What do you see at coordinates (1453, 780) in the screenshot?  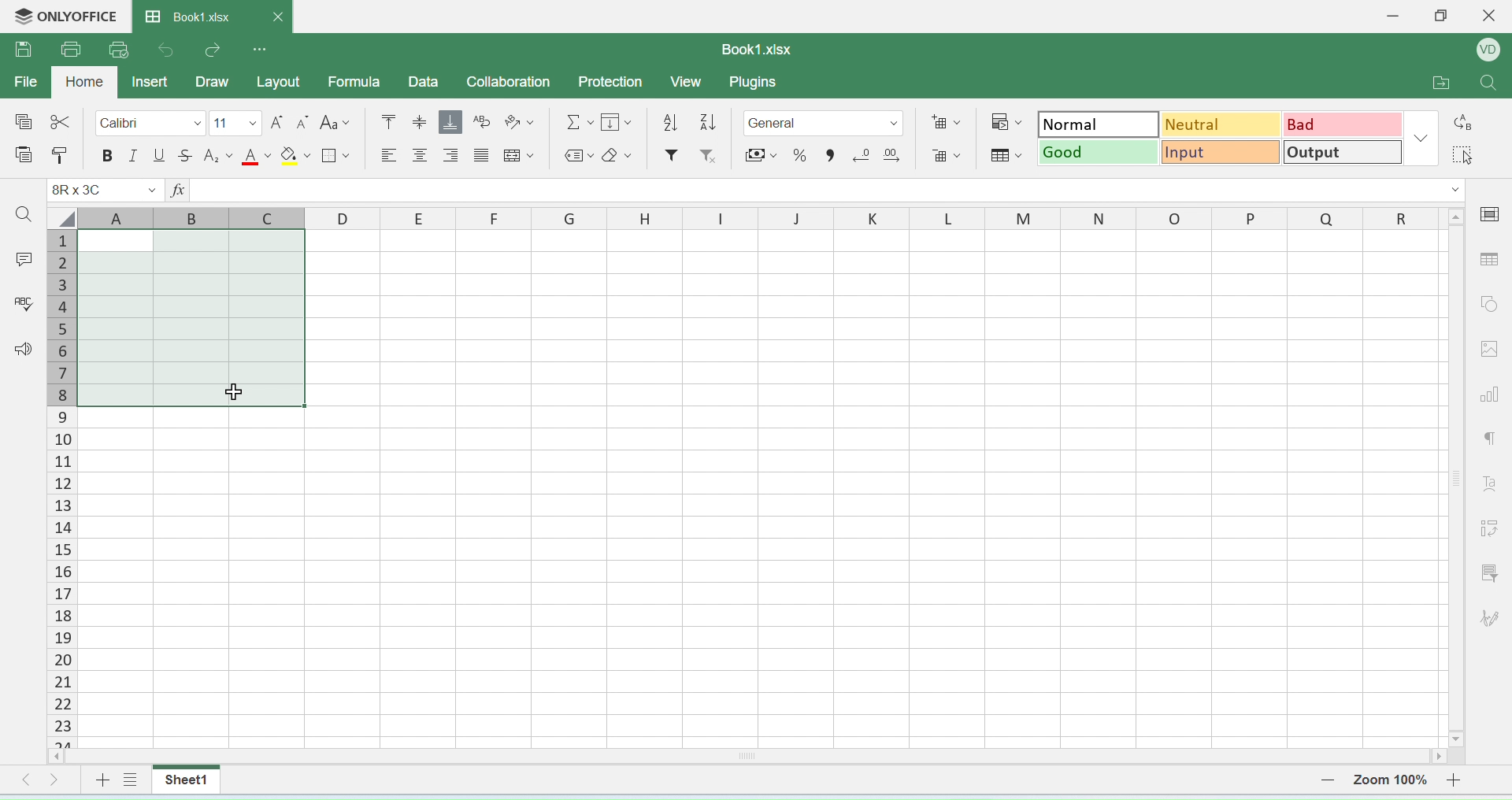 I see `zoom in` at bounding box center [1453, 780].